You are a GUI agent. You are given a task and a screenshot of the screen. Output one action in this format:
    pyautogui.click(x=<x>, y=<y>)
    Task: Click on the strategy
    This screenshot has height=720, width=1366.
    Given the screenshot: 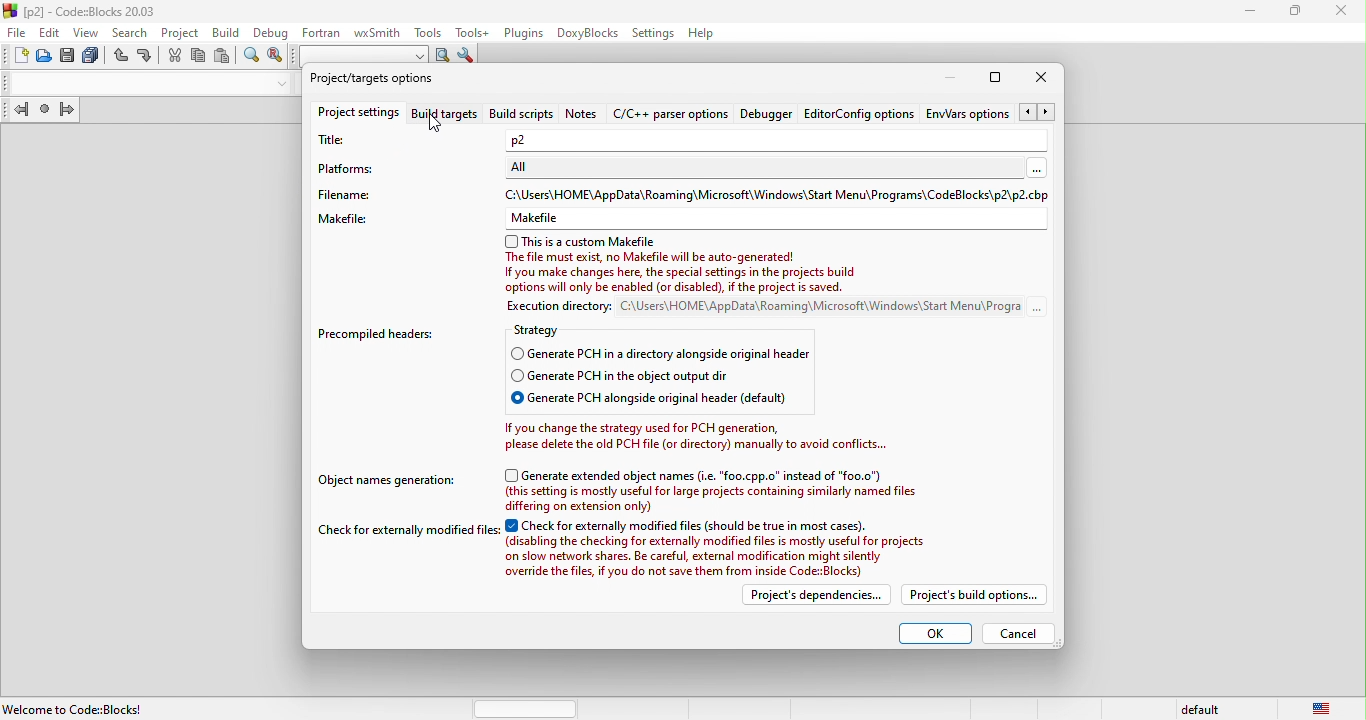 What is the action you would take?
    pyautogui.click(x=541, y=332)
    